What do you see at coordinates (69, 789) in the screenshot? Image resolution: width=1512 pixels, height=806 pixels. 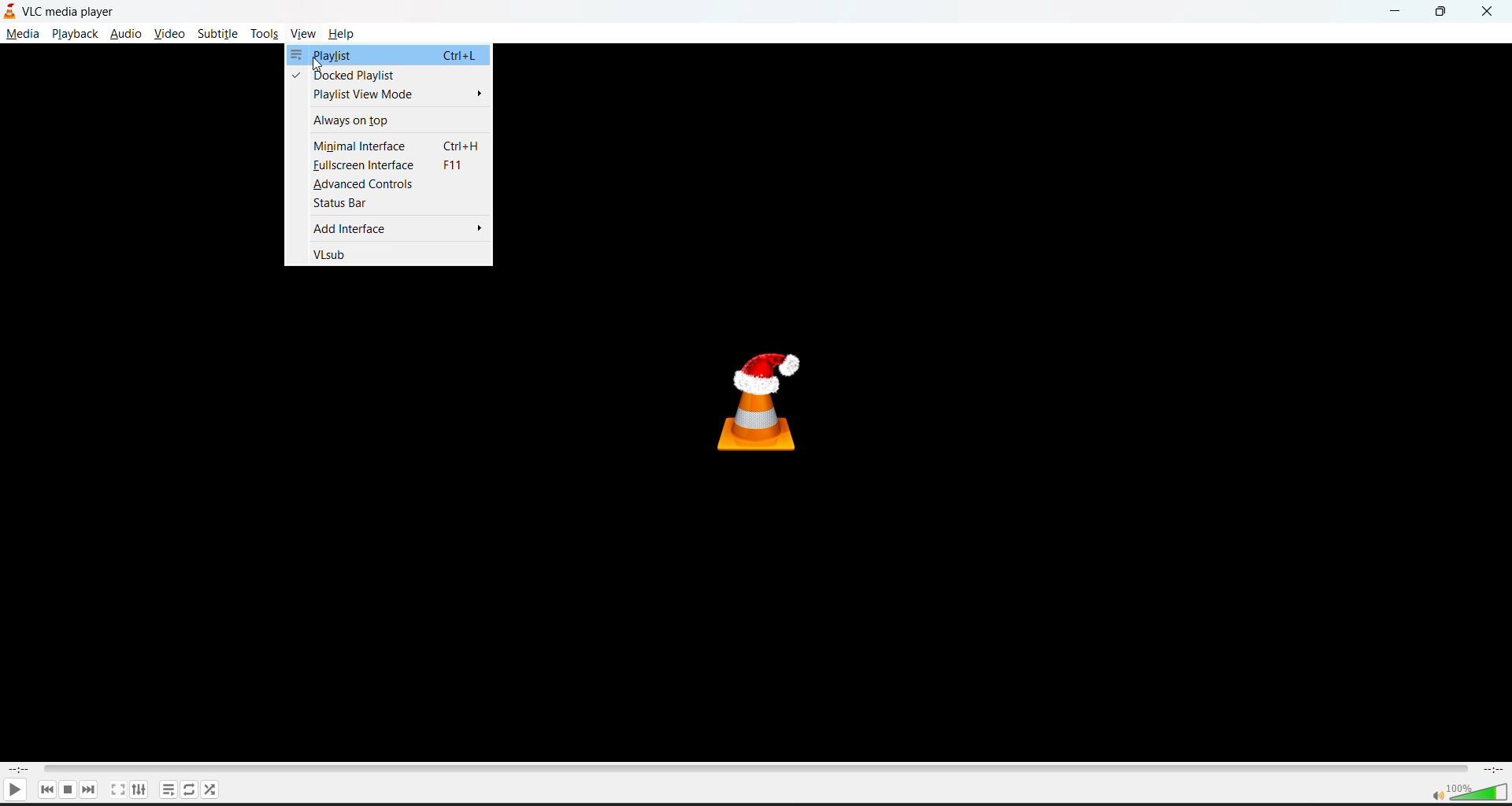 I see `stop` at bounding box center [69, 789].